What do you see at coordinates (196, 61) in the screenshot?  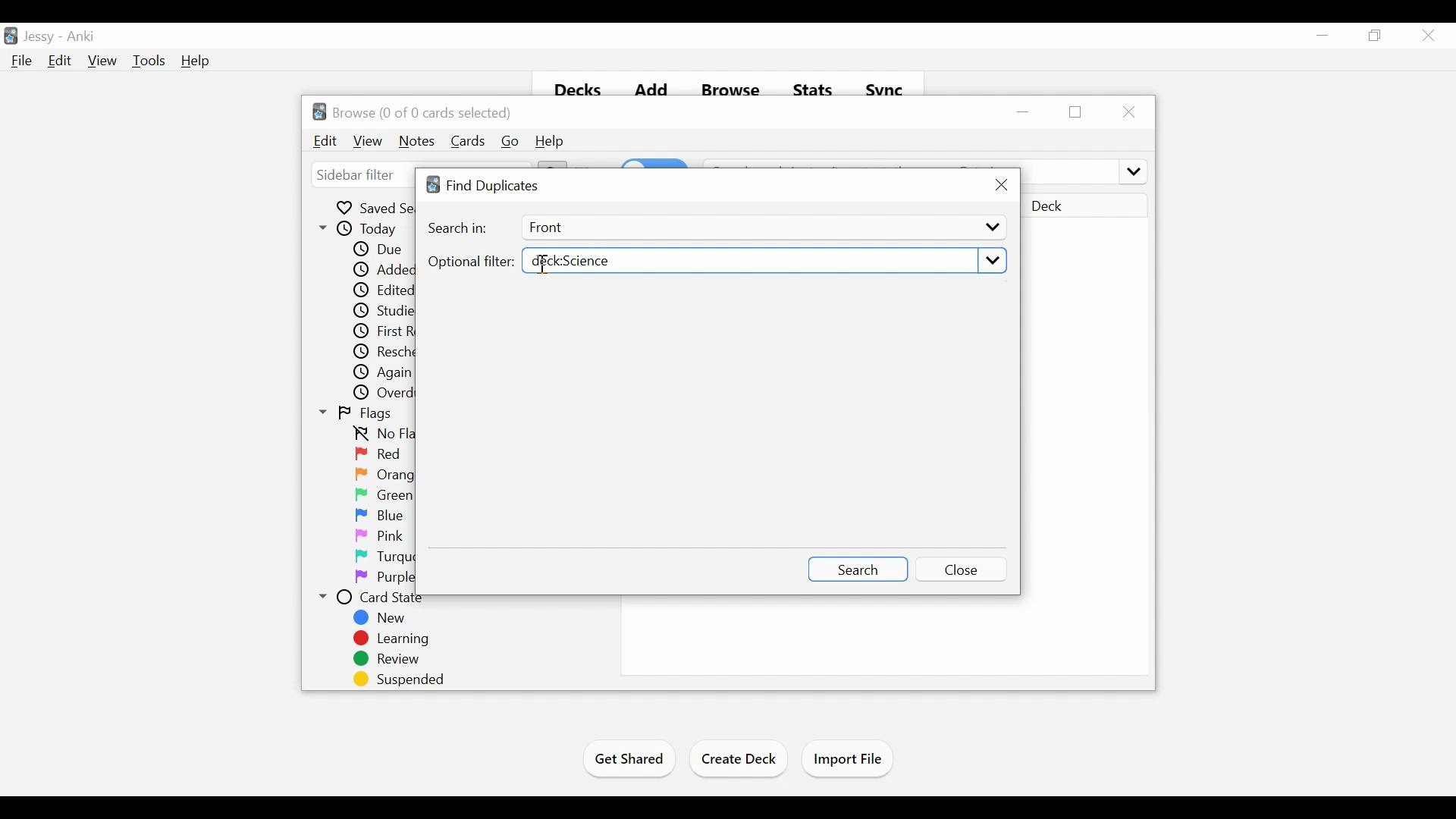 I see `Help` at bounding box center [196, 61].